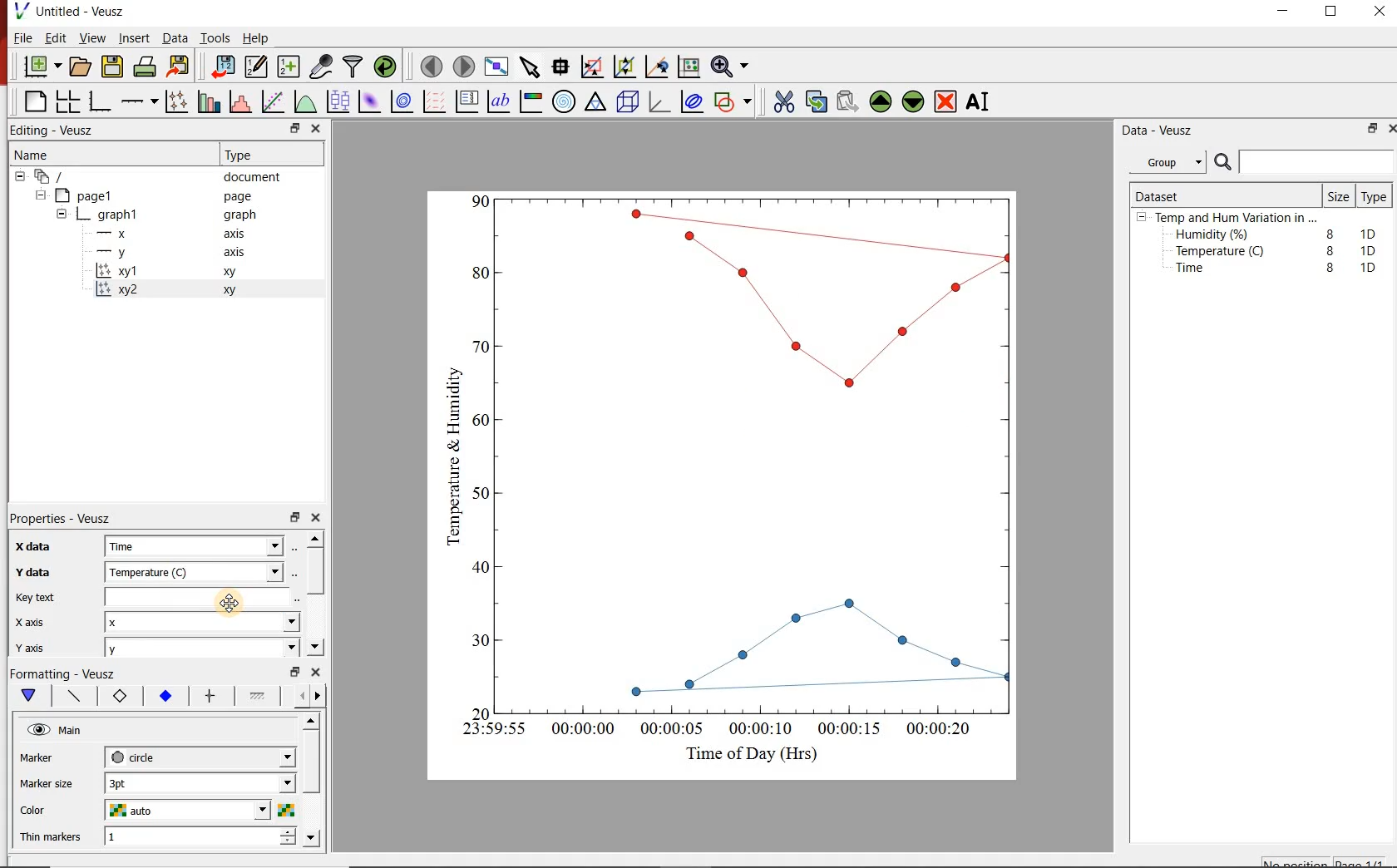 This screenshot has height=868, width=1397. Describe the element at coordinates (479, 711) in the screenshot. I see `20` at that location.